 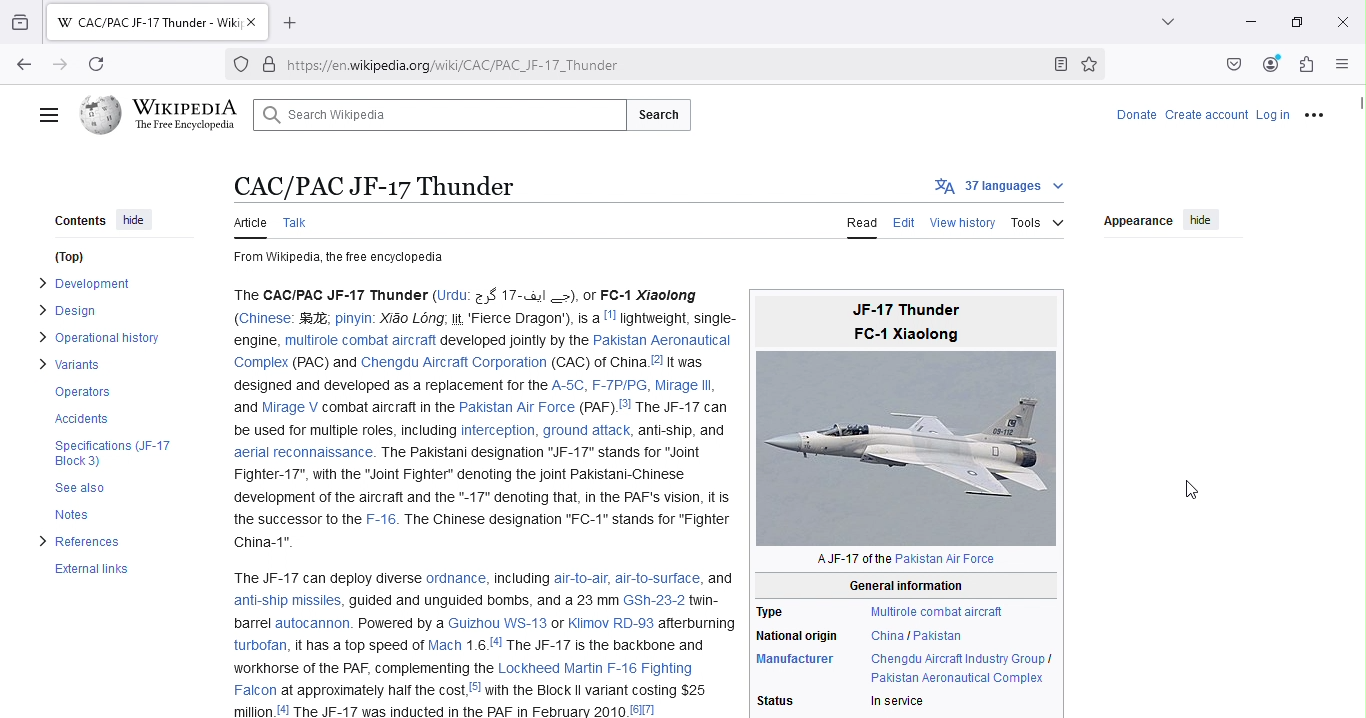 What do you see at coordinates (877, 562) in the screenshot?
I see `A JF-17 ofthe Pakistan Air Force` at bounding box center [877, 562].